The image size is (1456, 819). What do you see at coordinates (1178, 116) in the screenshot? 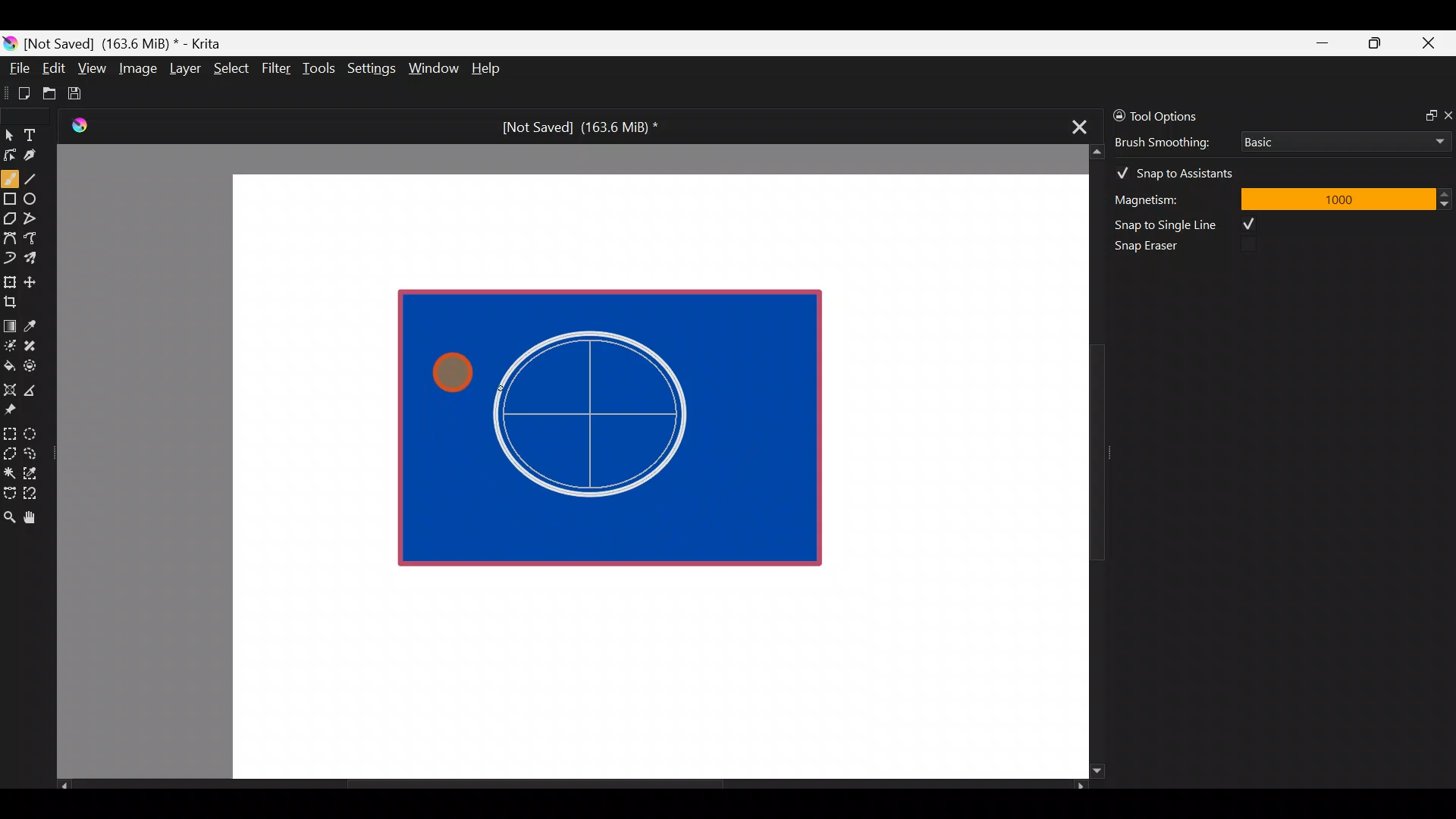
I see `Tool options` at bounding box center [1178, 116].